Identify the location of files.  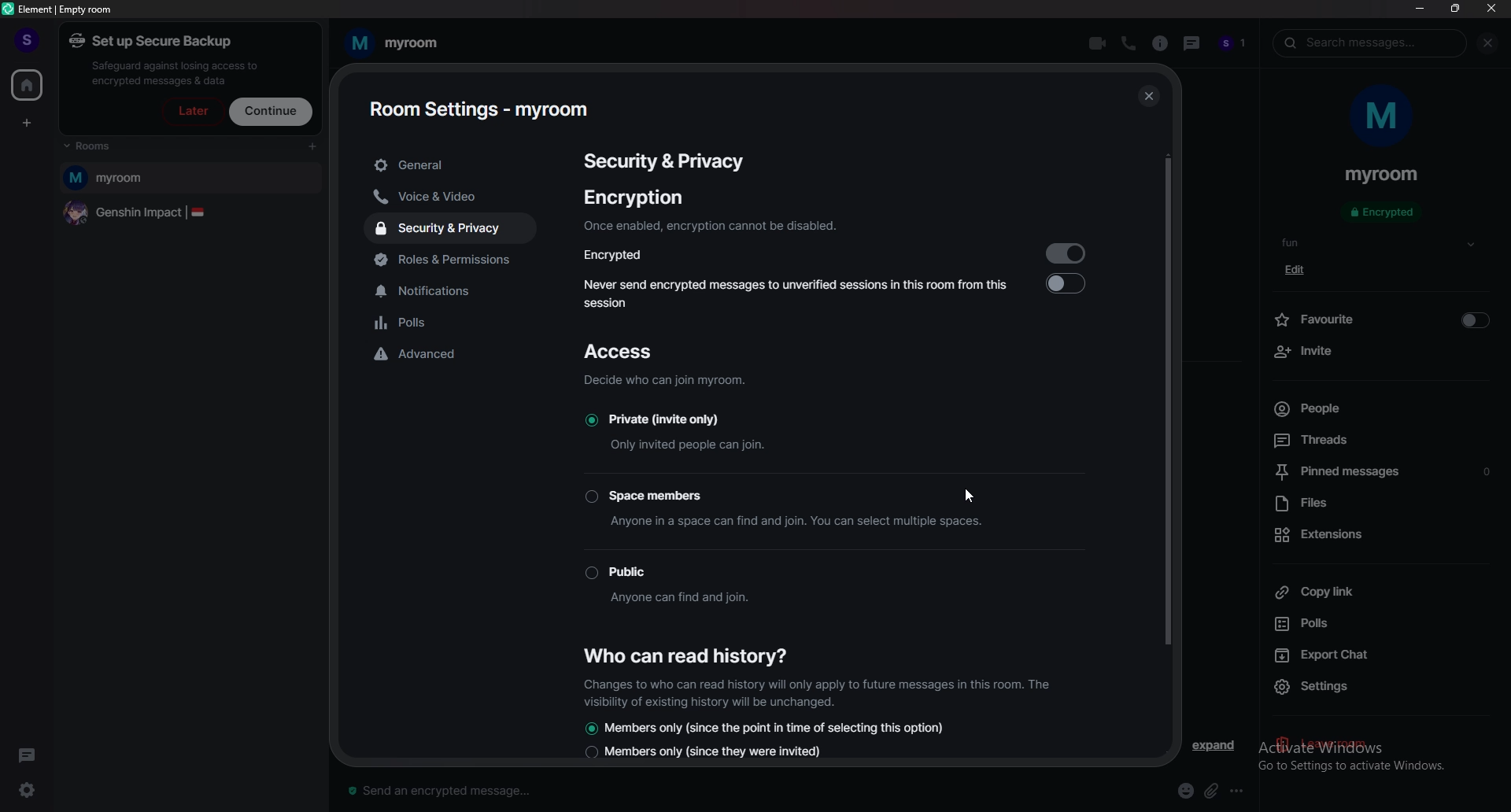
(1386, 504).